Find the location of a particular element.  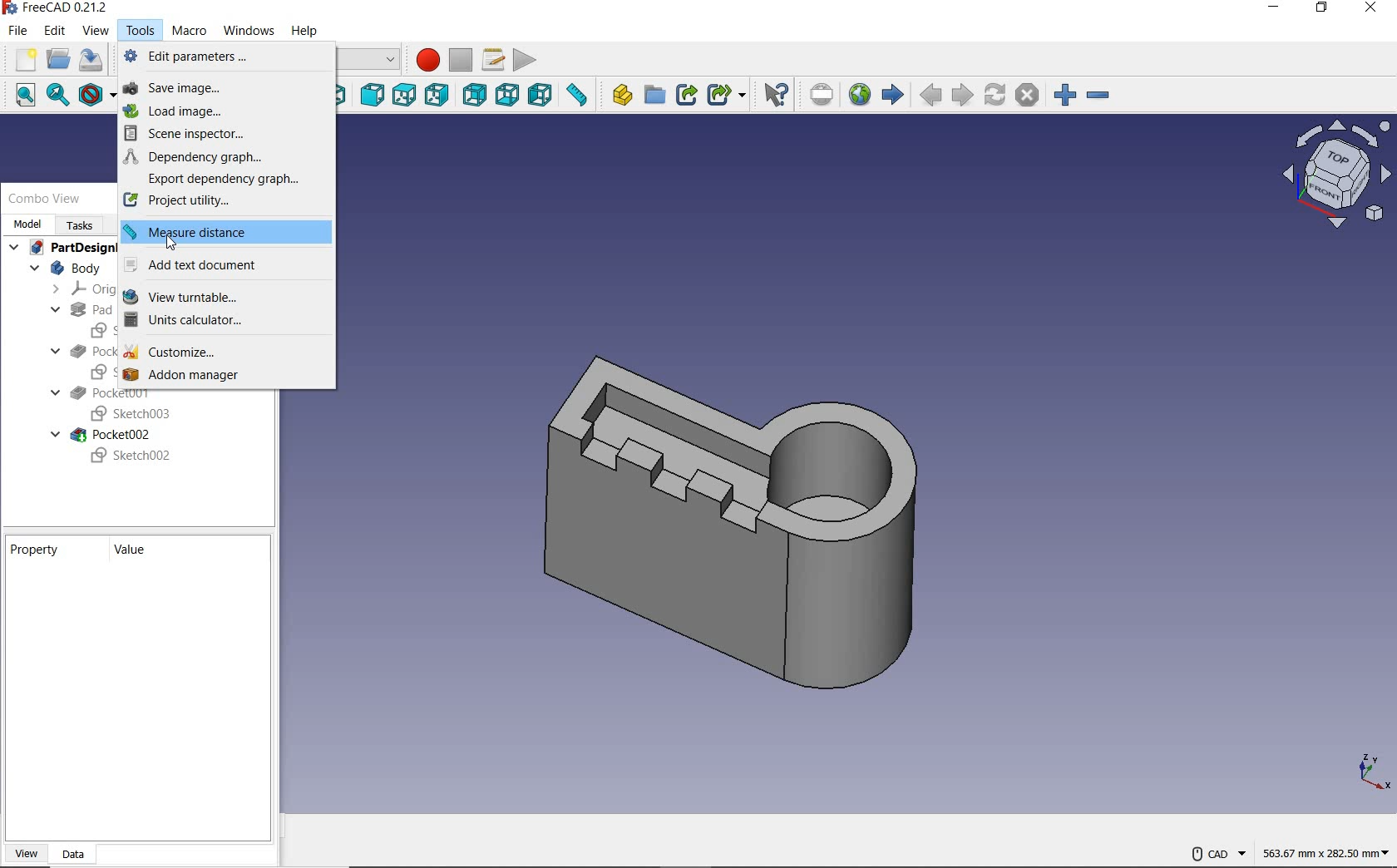

minimize is located at coordinates (1276, 9).